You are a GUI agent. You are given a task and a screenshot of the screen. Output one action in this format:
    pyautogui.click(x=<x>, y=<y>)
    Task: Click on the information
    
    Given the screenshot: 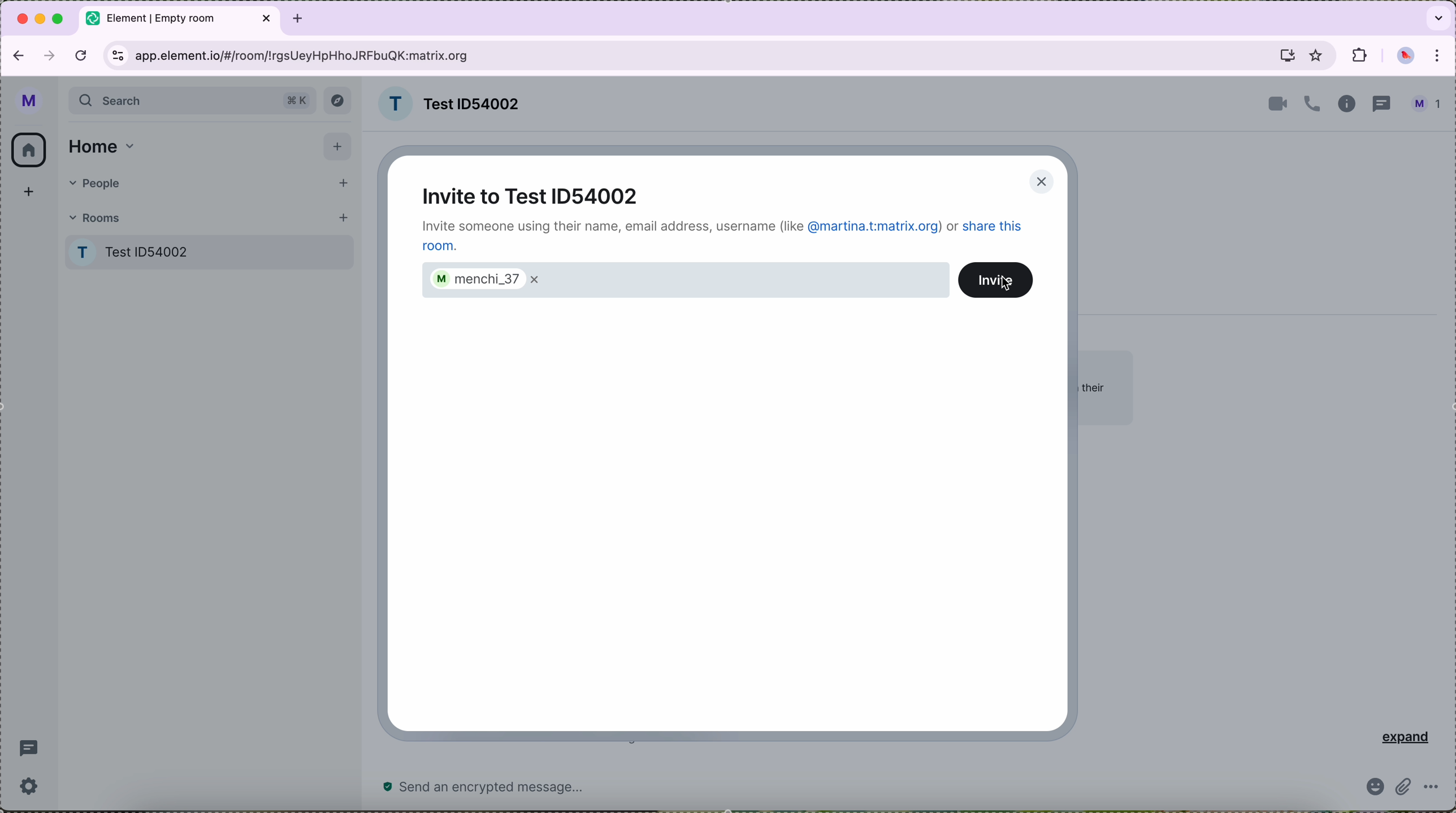 What is the action you would take?
    pyautogui.click(x=1346, y=105)
    